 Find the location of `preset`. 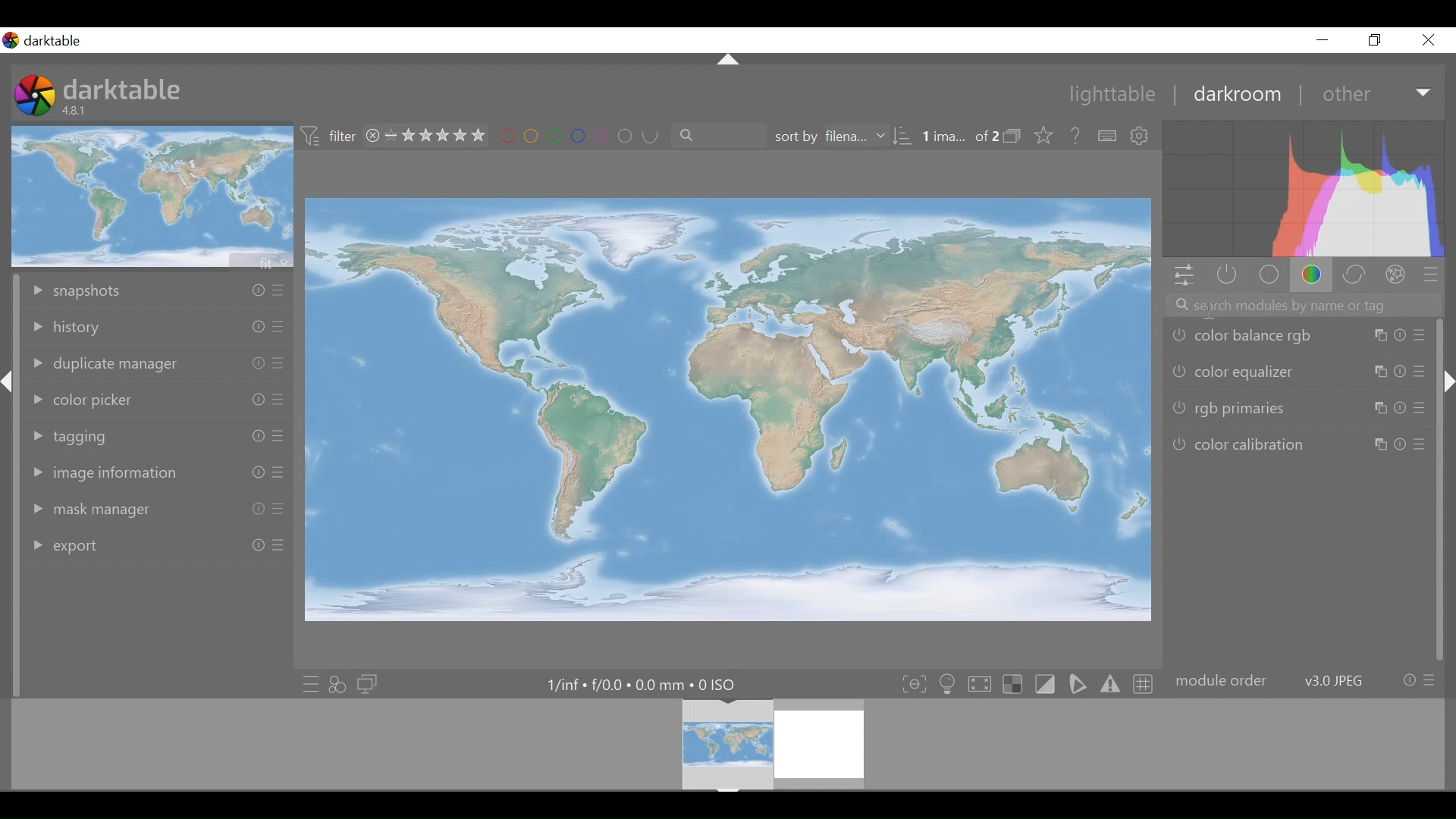

preset is located at coordinates (1431, 274).